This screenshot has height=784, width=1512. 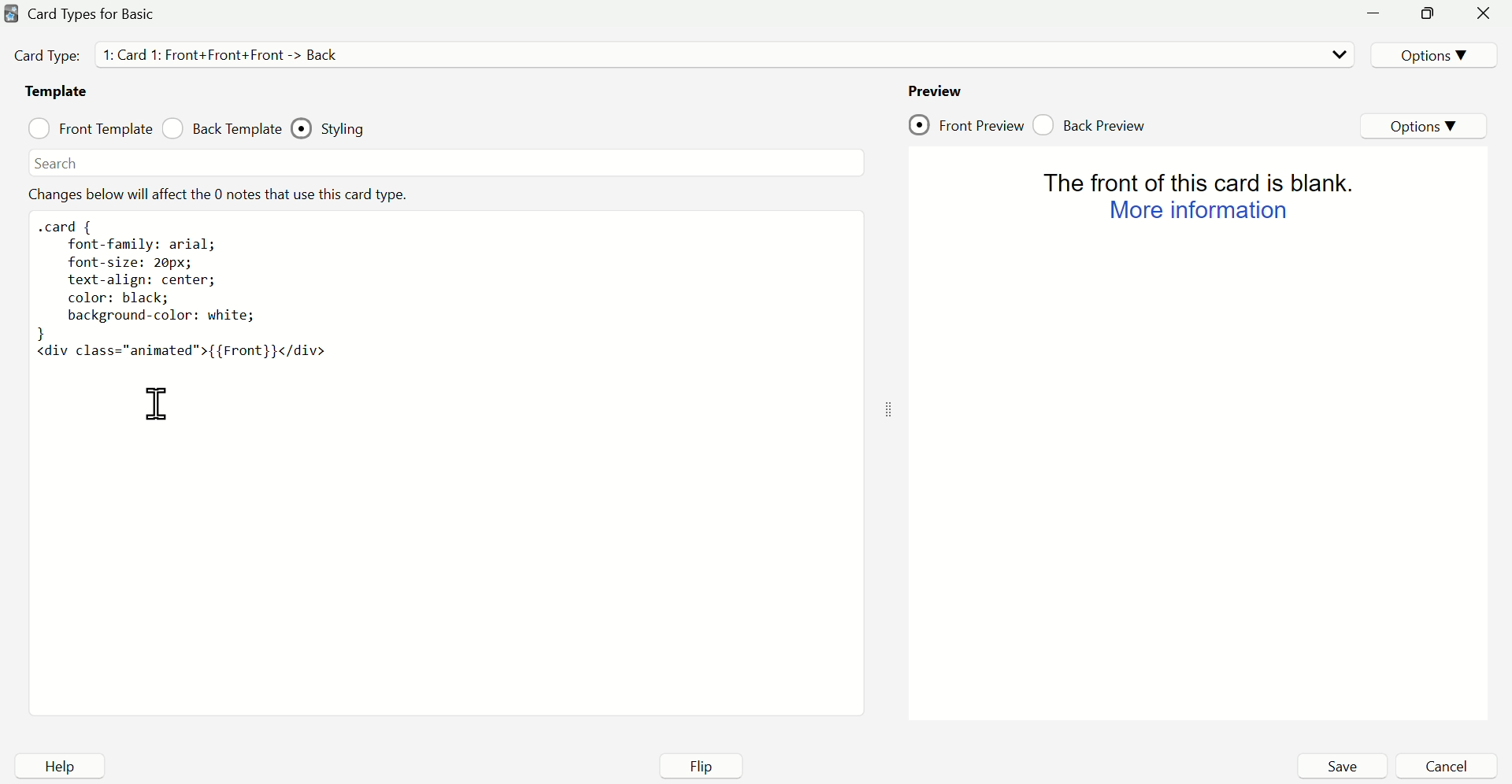 I want to click on Close, so click(x=1484, y=17).